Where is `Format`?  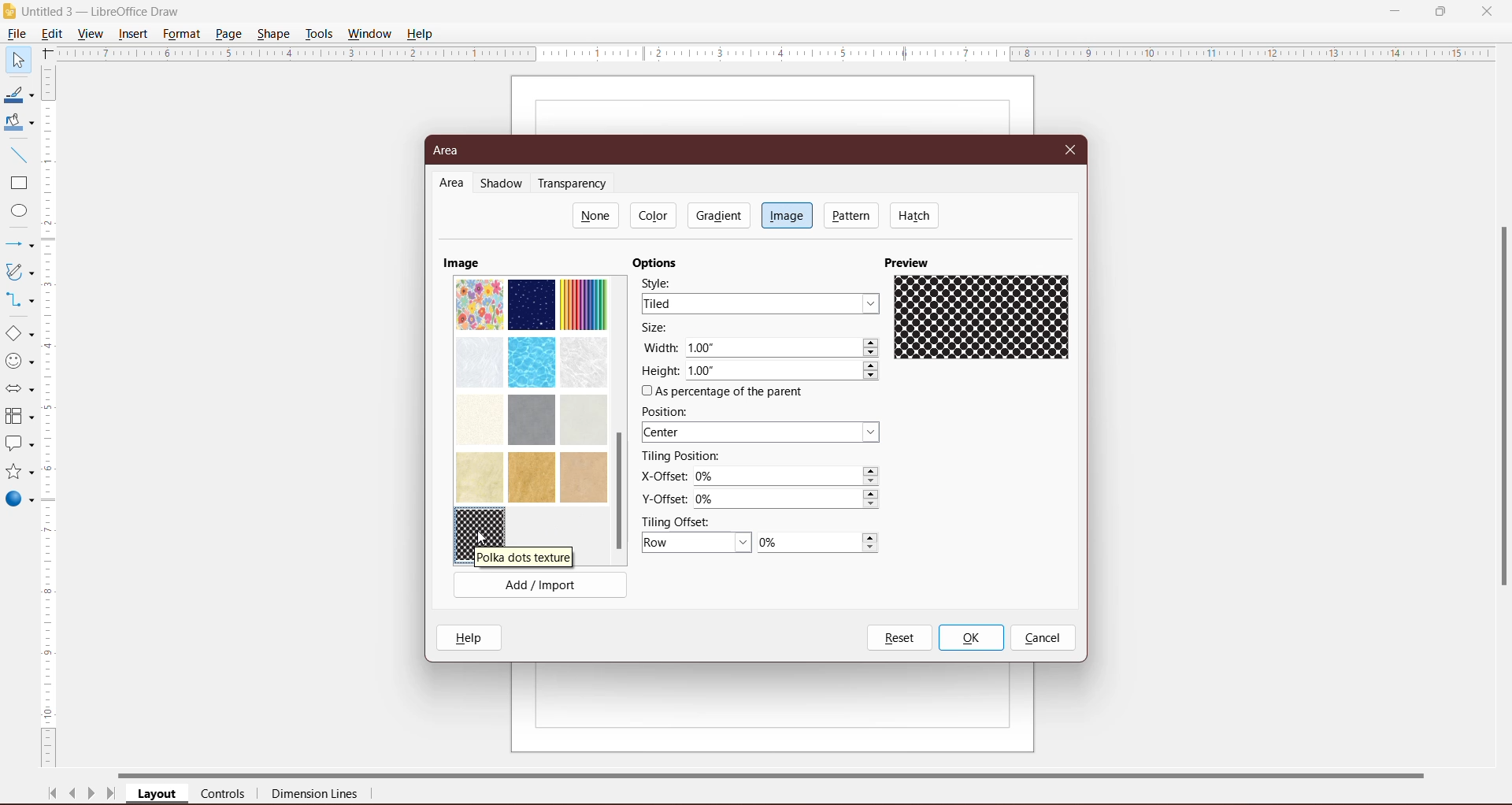
Format is located at coordinates (181, 34).